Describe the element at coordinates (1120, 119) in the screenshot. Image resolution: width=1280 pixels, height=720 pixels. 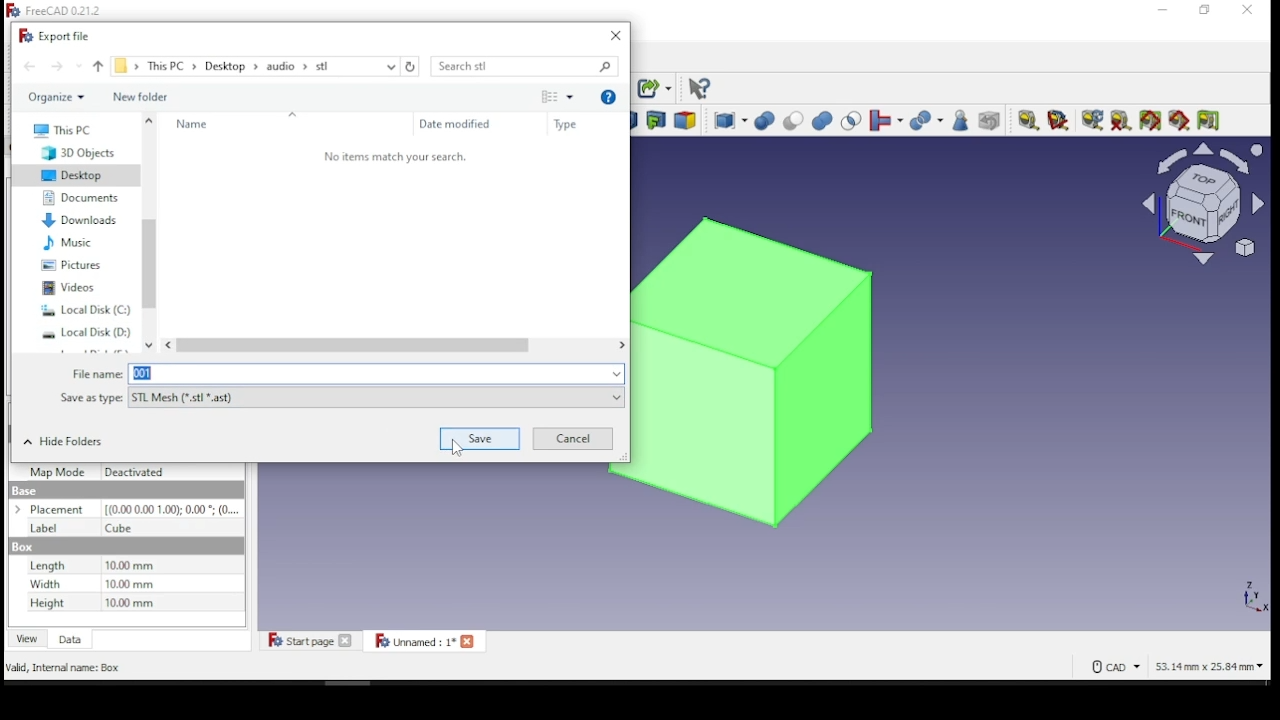
I see `clear all` at that location.